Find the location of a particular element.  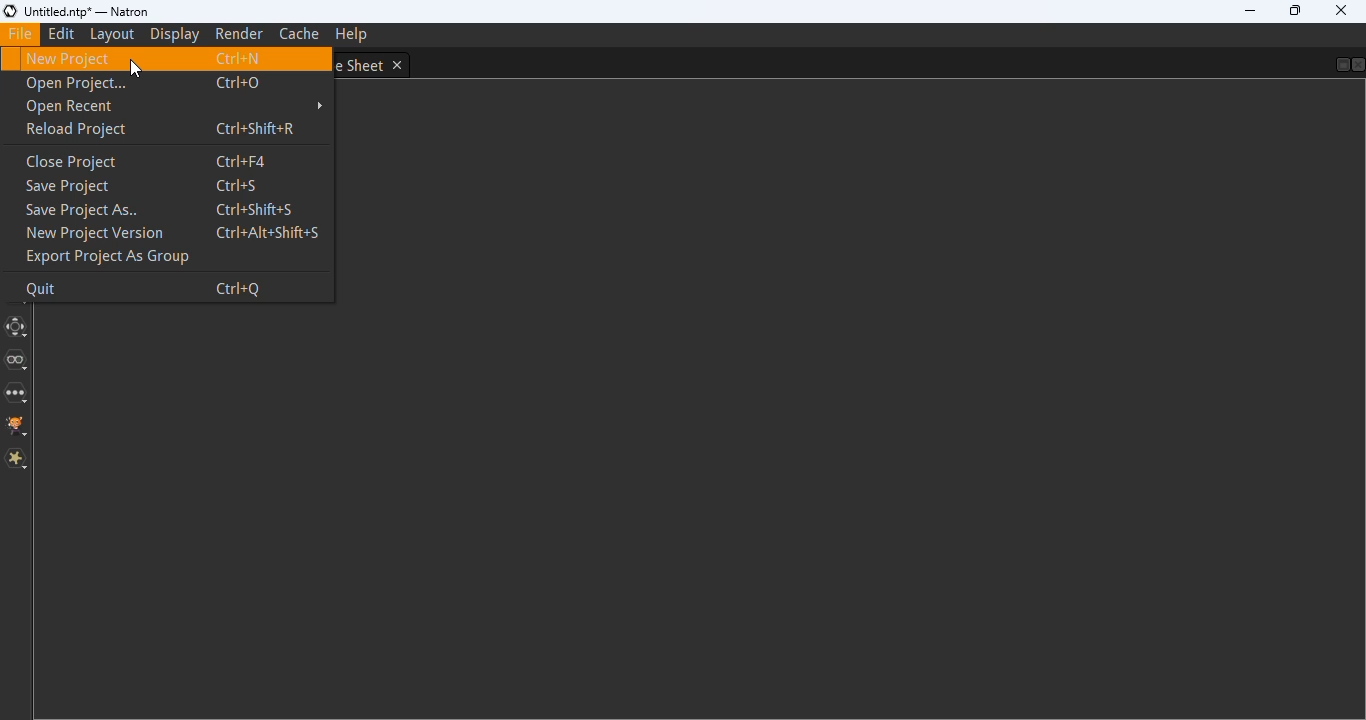

save project is located at coordinates (172, 187).